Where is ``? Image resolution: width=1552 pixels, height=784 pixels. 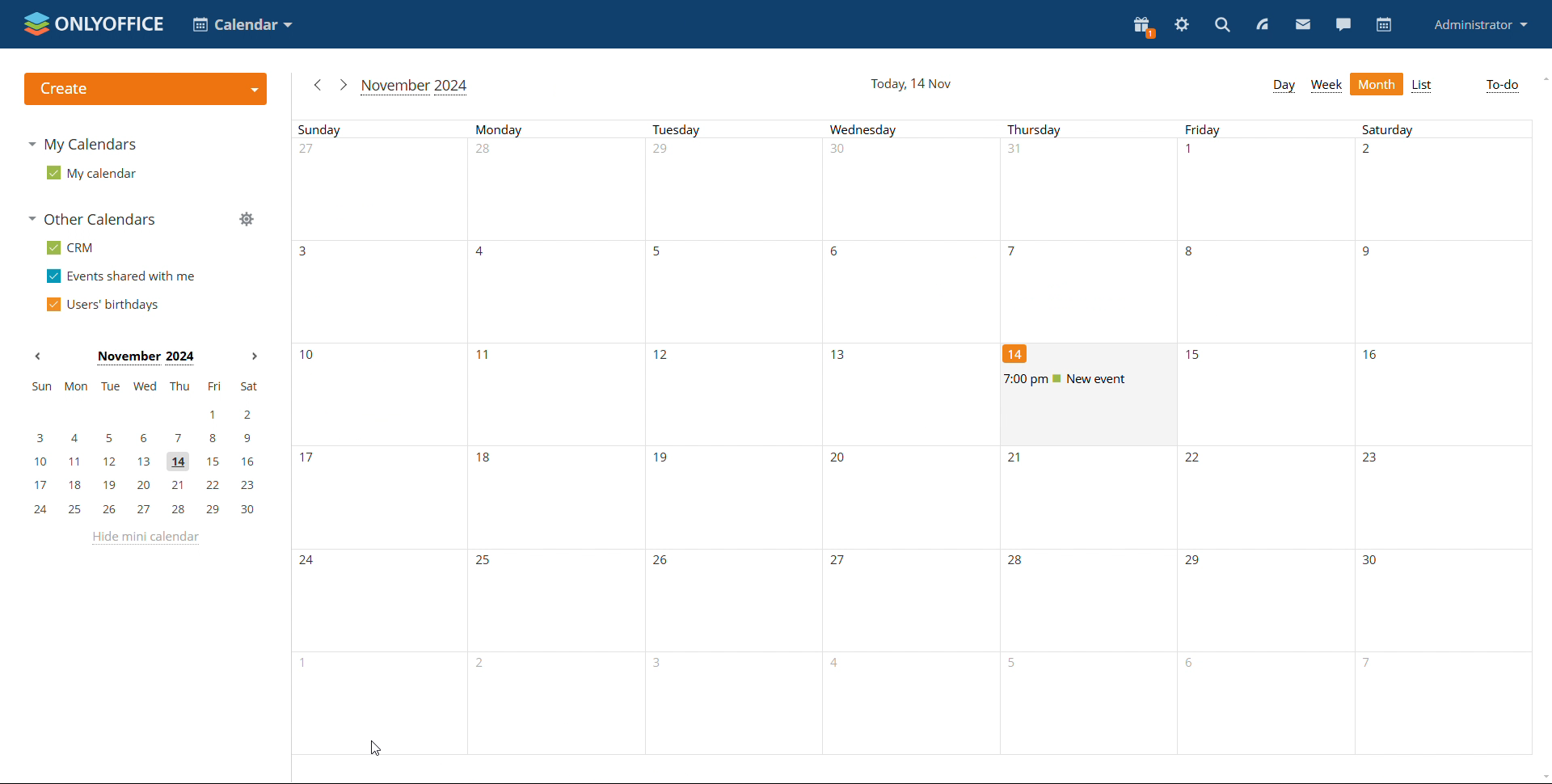  is located at coordinates (840, 561).